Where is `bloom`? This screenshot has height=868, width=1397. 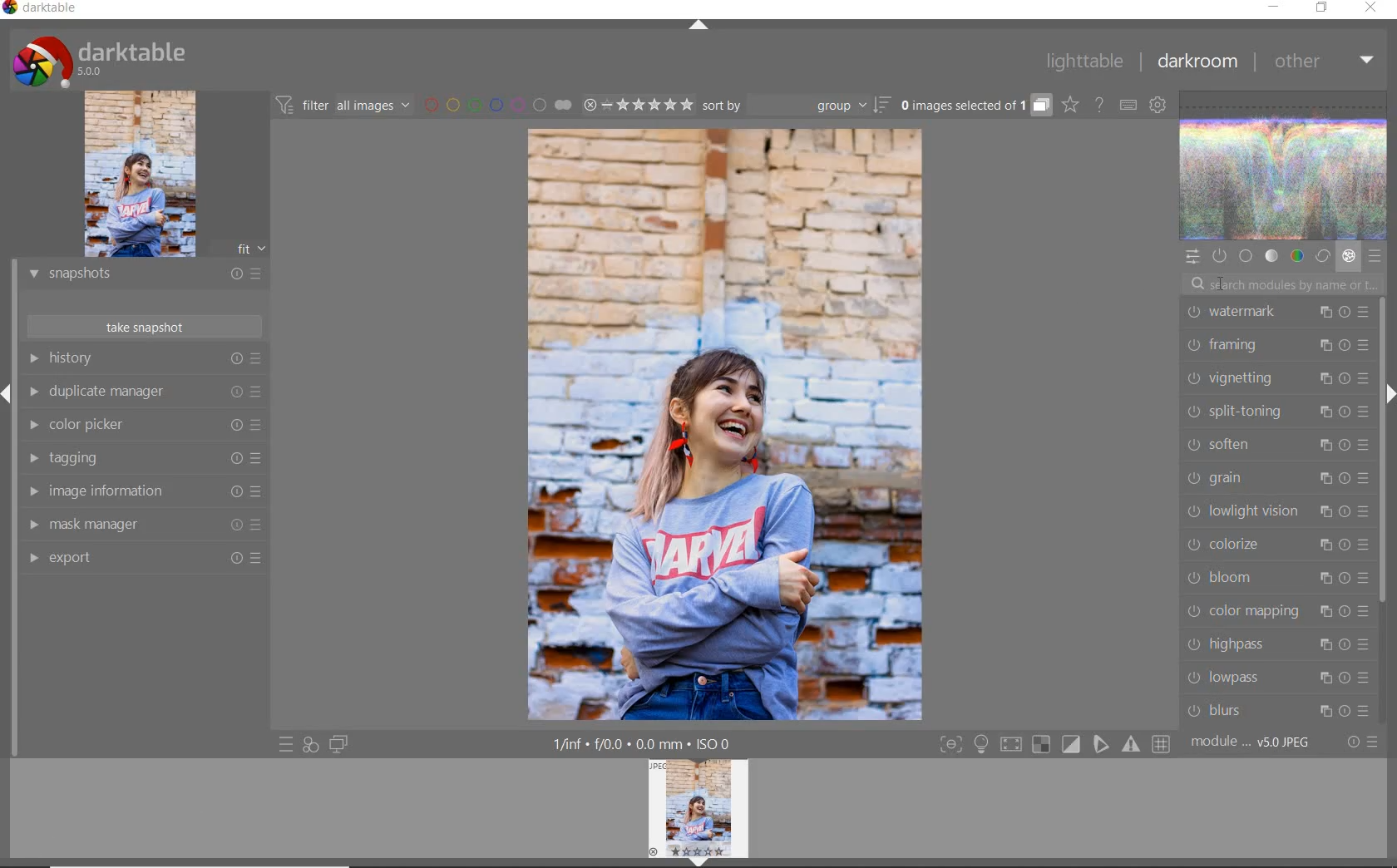 bloom is located at coordinates (1277, 580).